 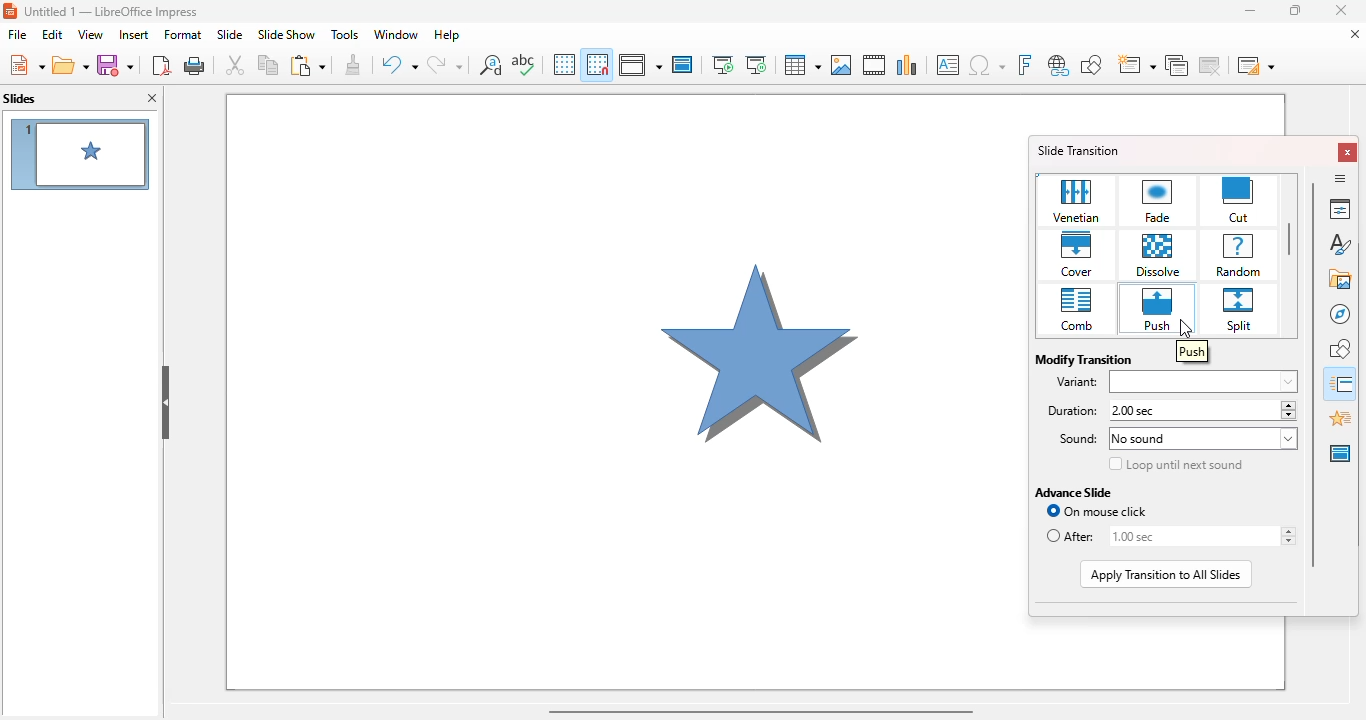 I want to click on copy, so click(x=268, y=64).